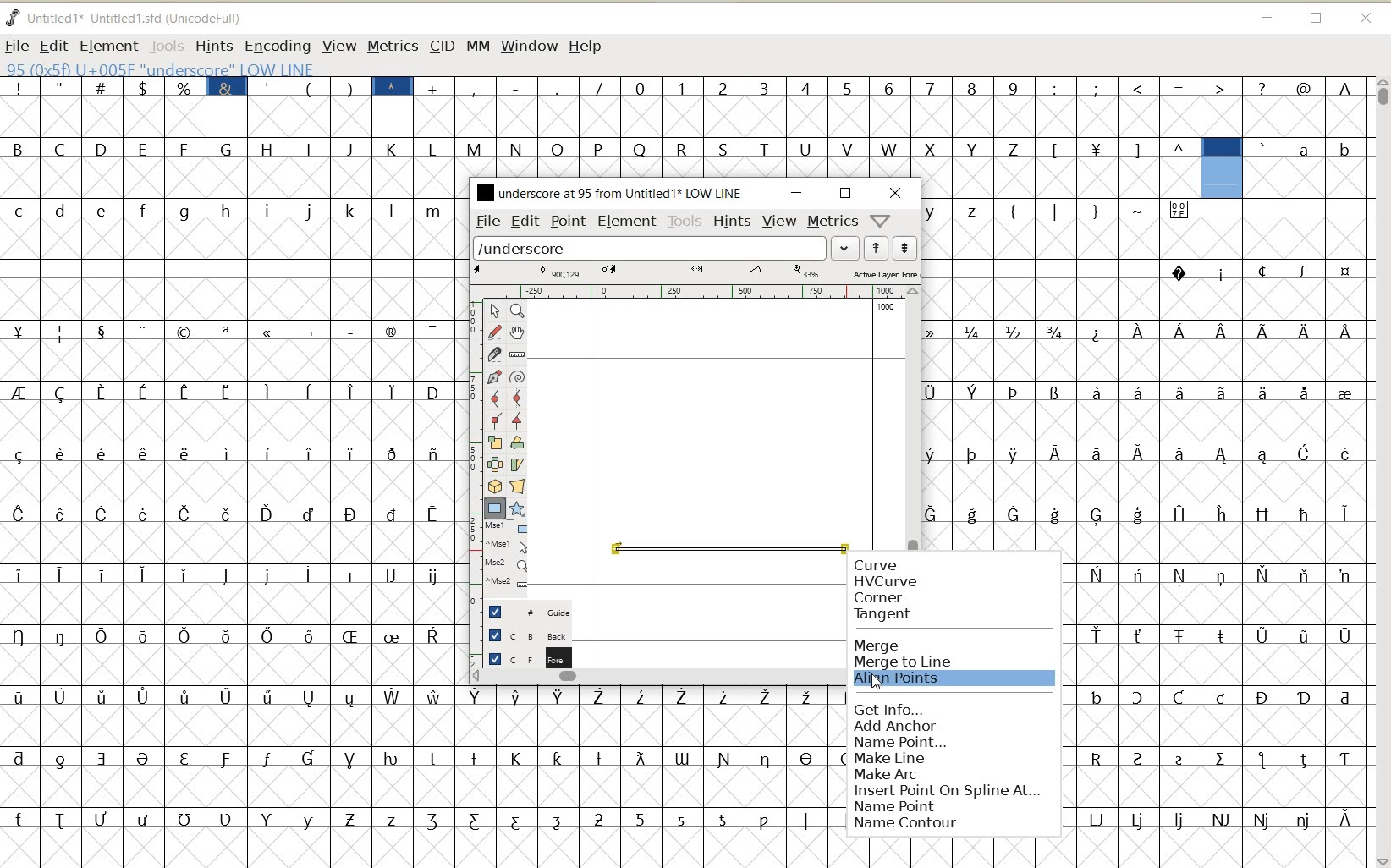  Describe the element at coordinates (496, 508) in the screenshot. I see `rectangle or ellipse` at that location.